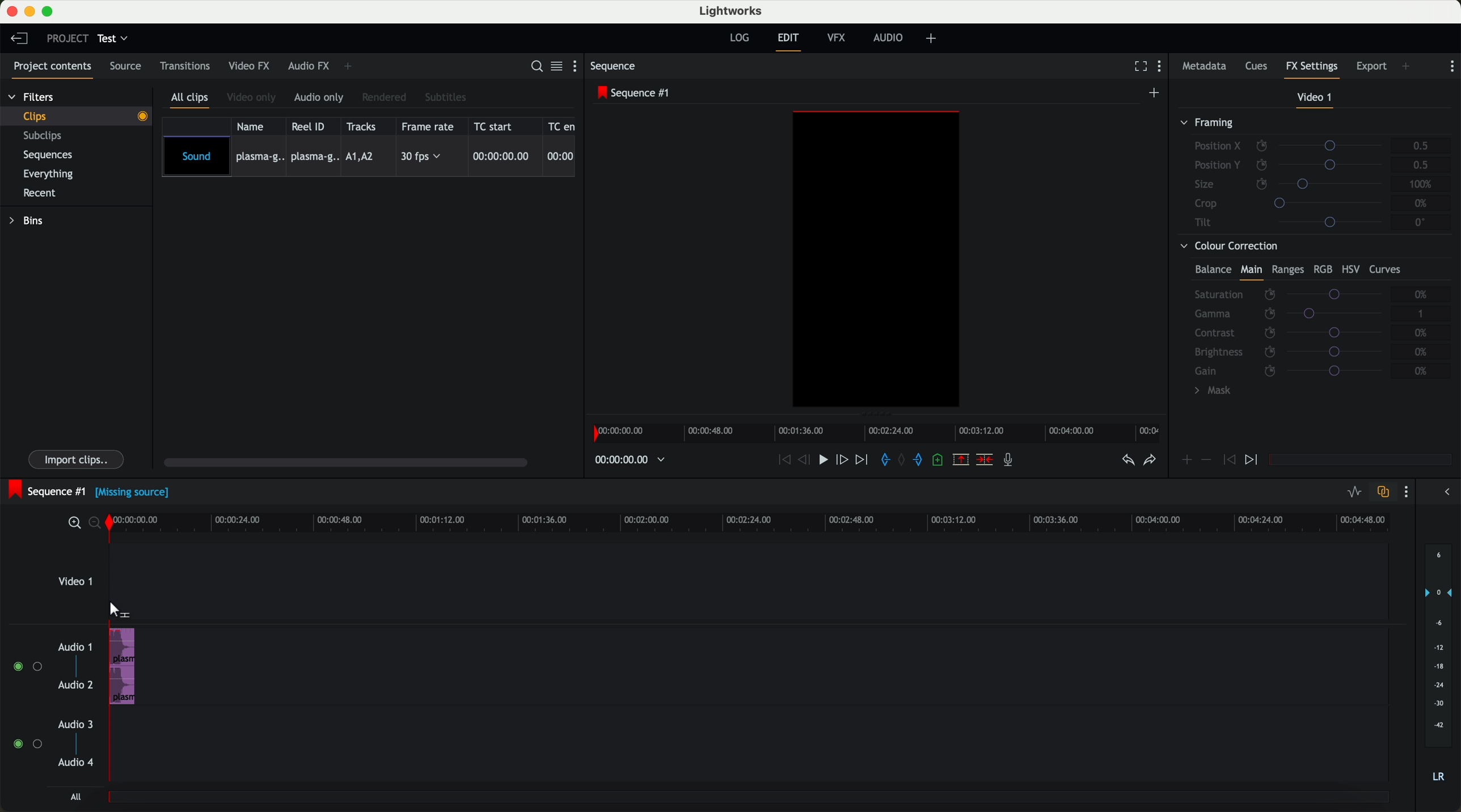 The image size is (1461, 812). What do you see at coordinates (1314, 98) in the screenshot?
I see `video 1` at bounding box center [1314, 98].